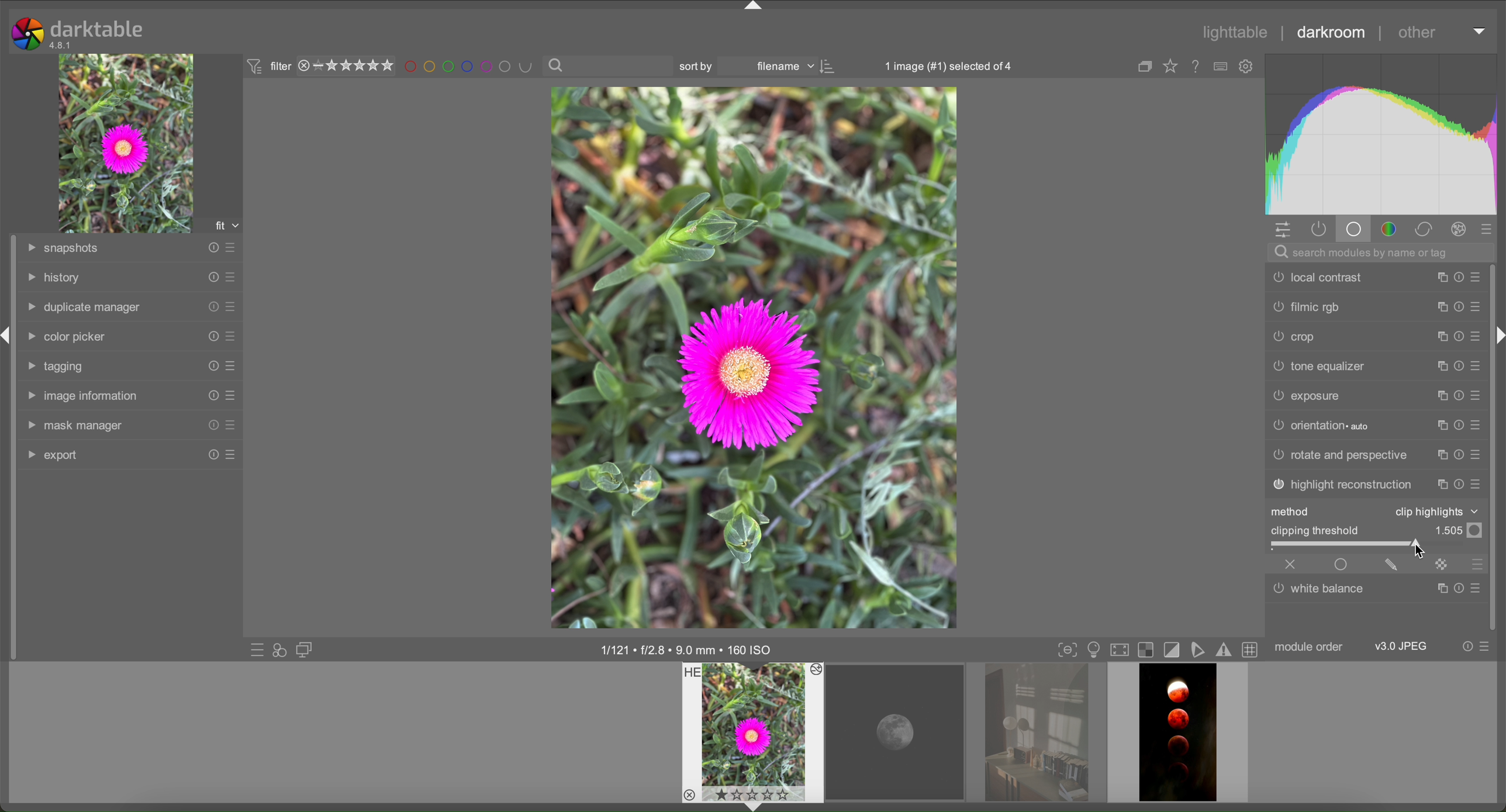 The image size is (1506, 812). Describe the element at coordinates (1458, 426) in the screenshot. I see `reset presets` at that location.